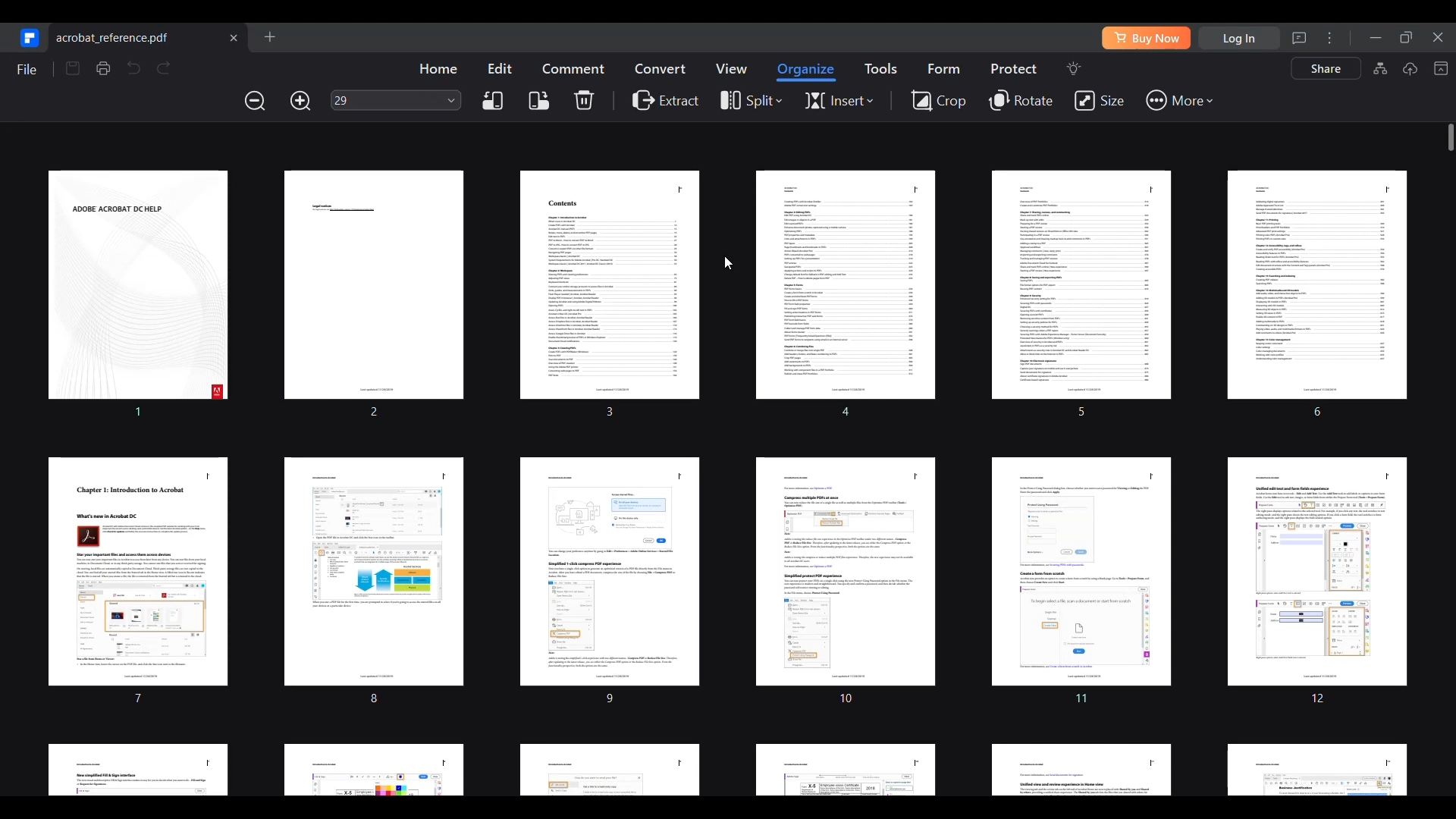  I want to click on Minimize, so click(1376, 38).